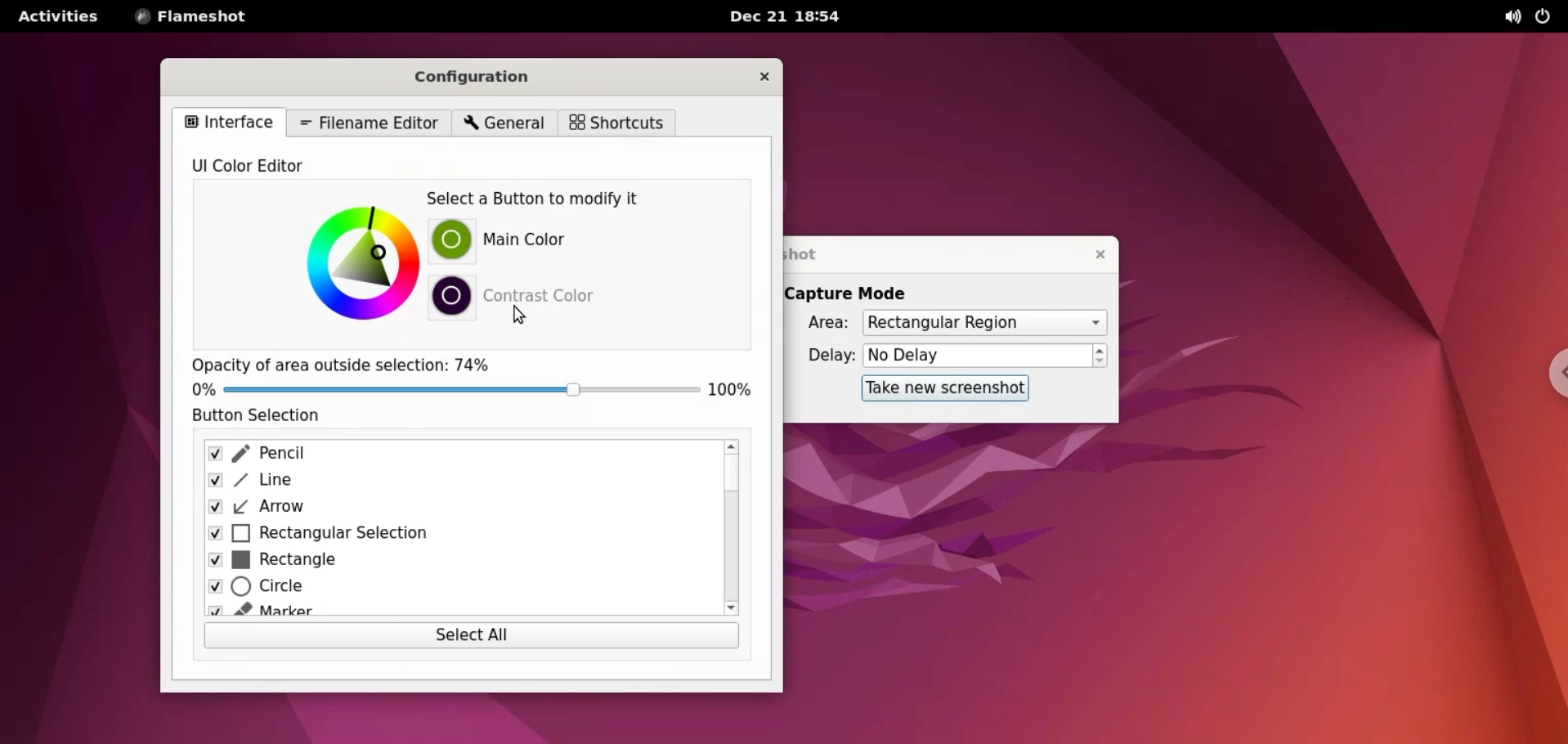 The image size is (1568, 744). Describe the element at coordinates (1094, 254) in the screenshot. I see `close` at that location.